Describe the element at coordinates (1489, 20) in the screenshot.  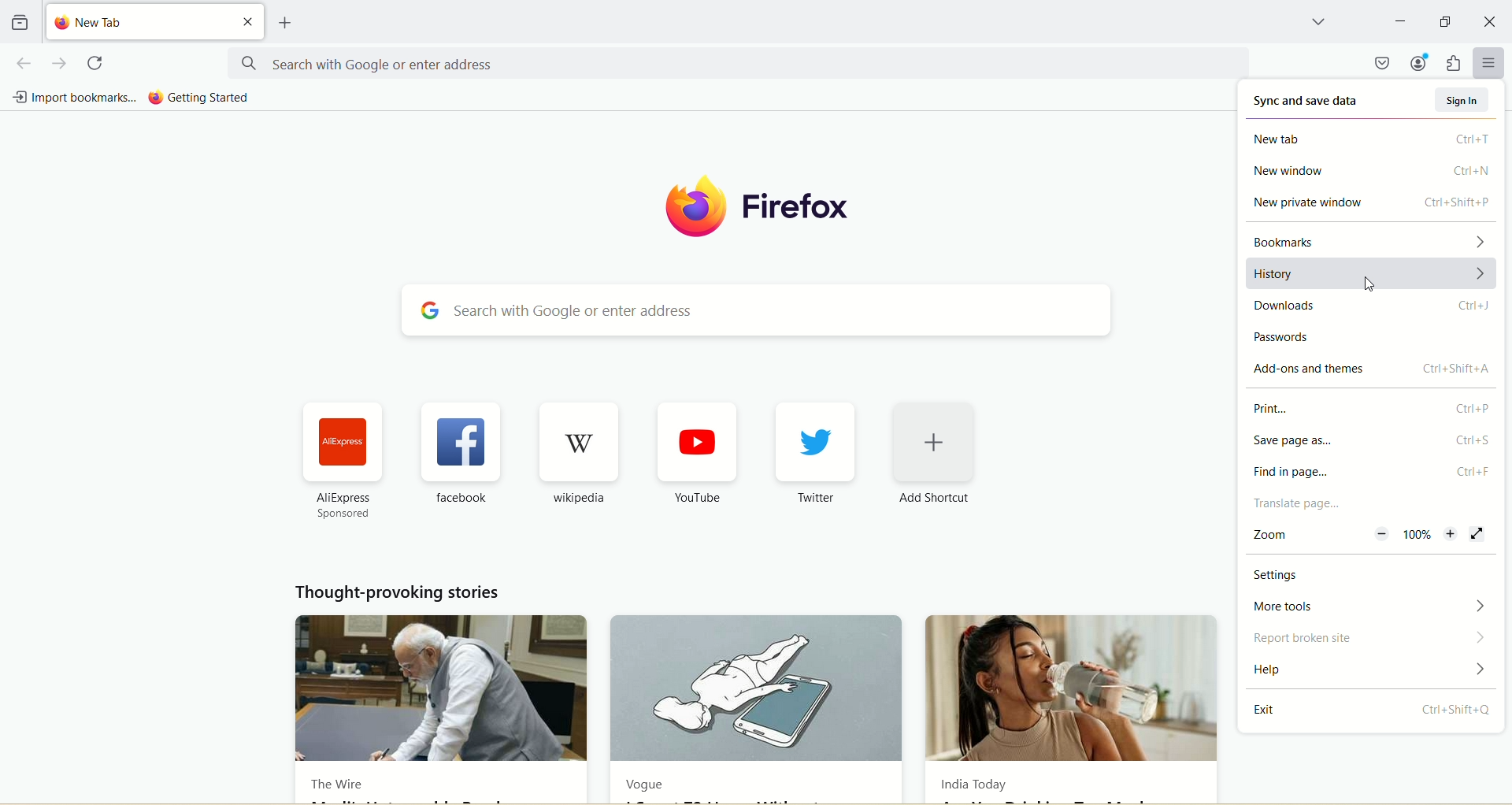
I see `close` at that location.